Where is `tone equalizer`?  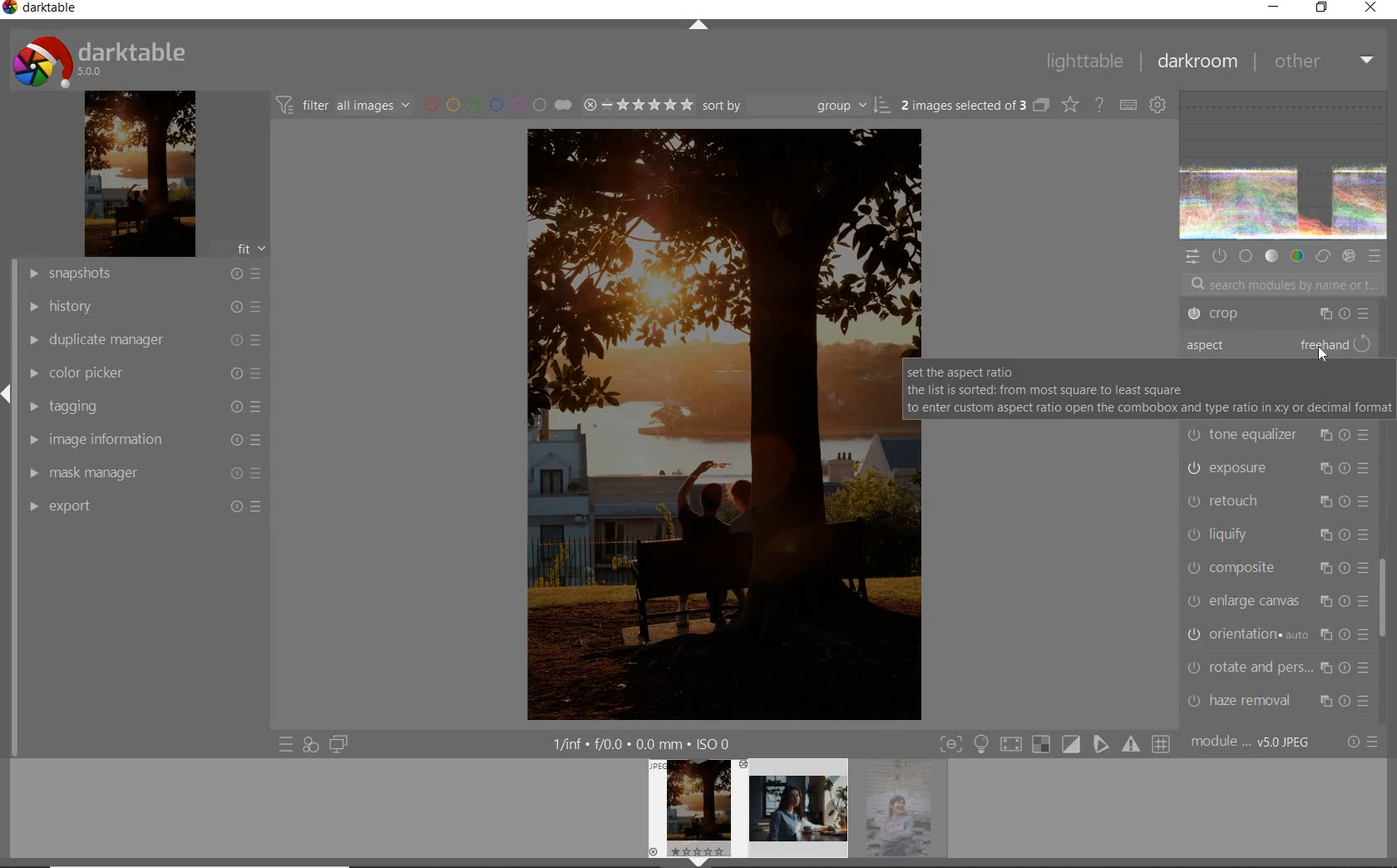 tone equalizer is located at coordinates (1278, 435).